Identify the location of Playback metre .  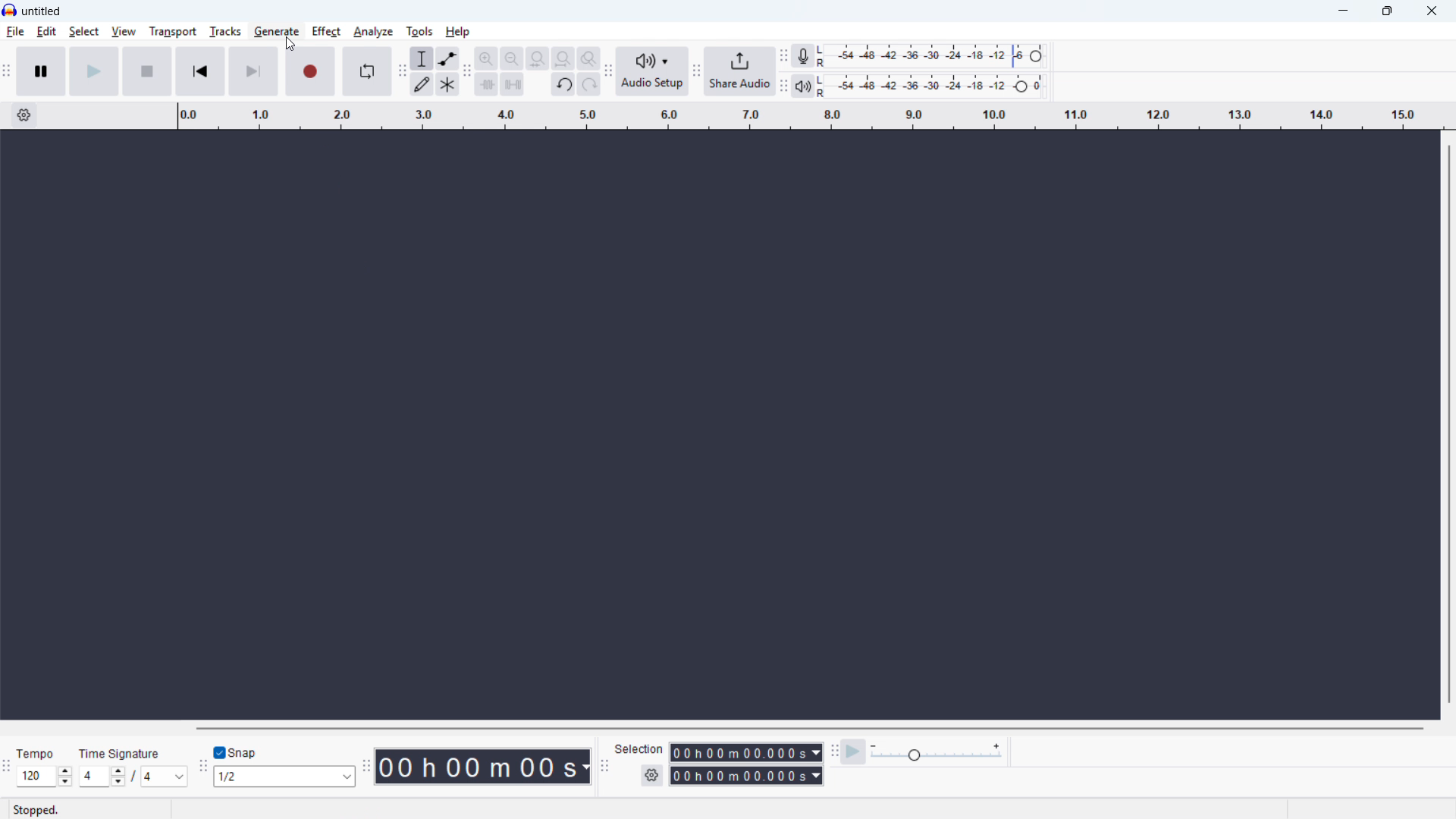
(803, 86).